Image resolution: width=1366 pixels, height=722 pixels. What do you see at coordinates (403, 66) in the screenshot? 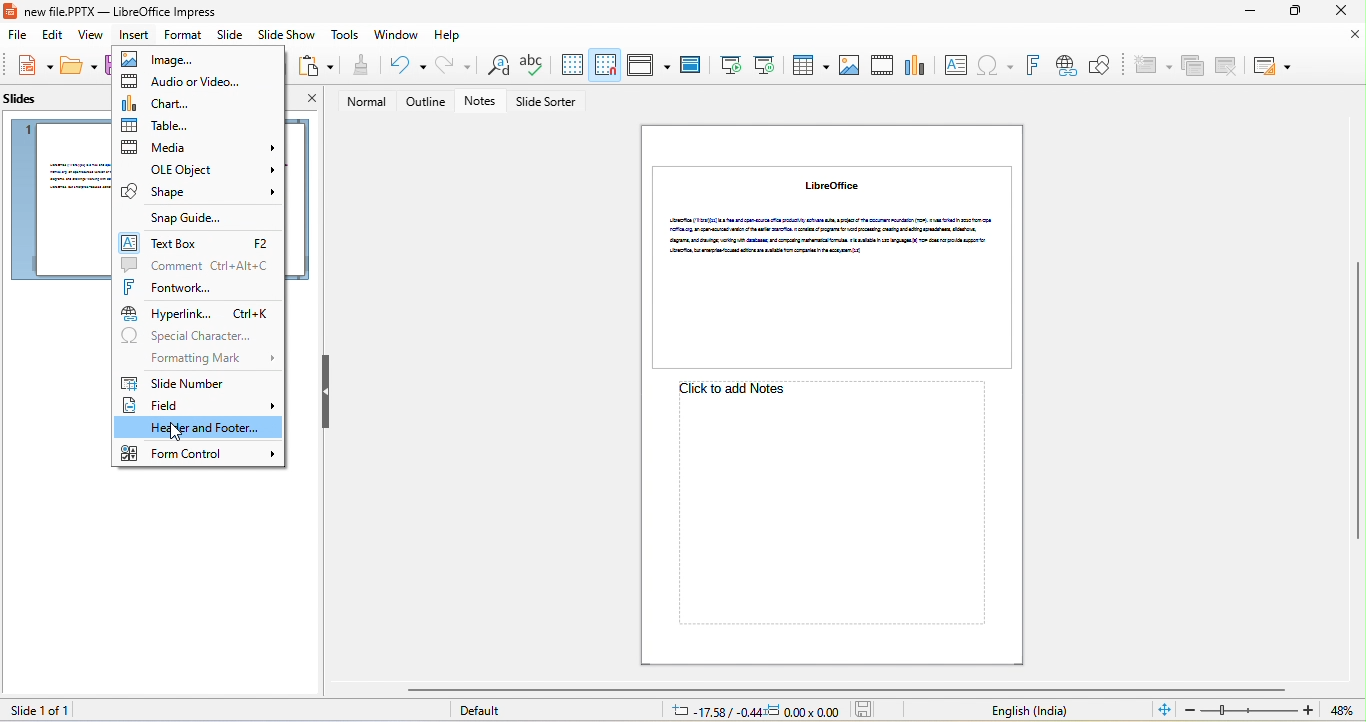
I see `undo` at bounding box center [403, 66].